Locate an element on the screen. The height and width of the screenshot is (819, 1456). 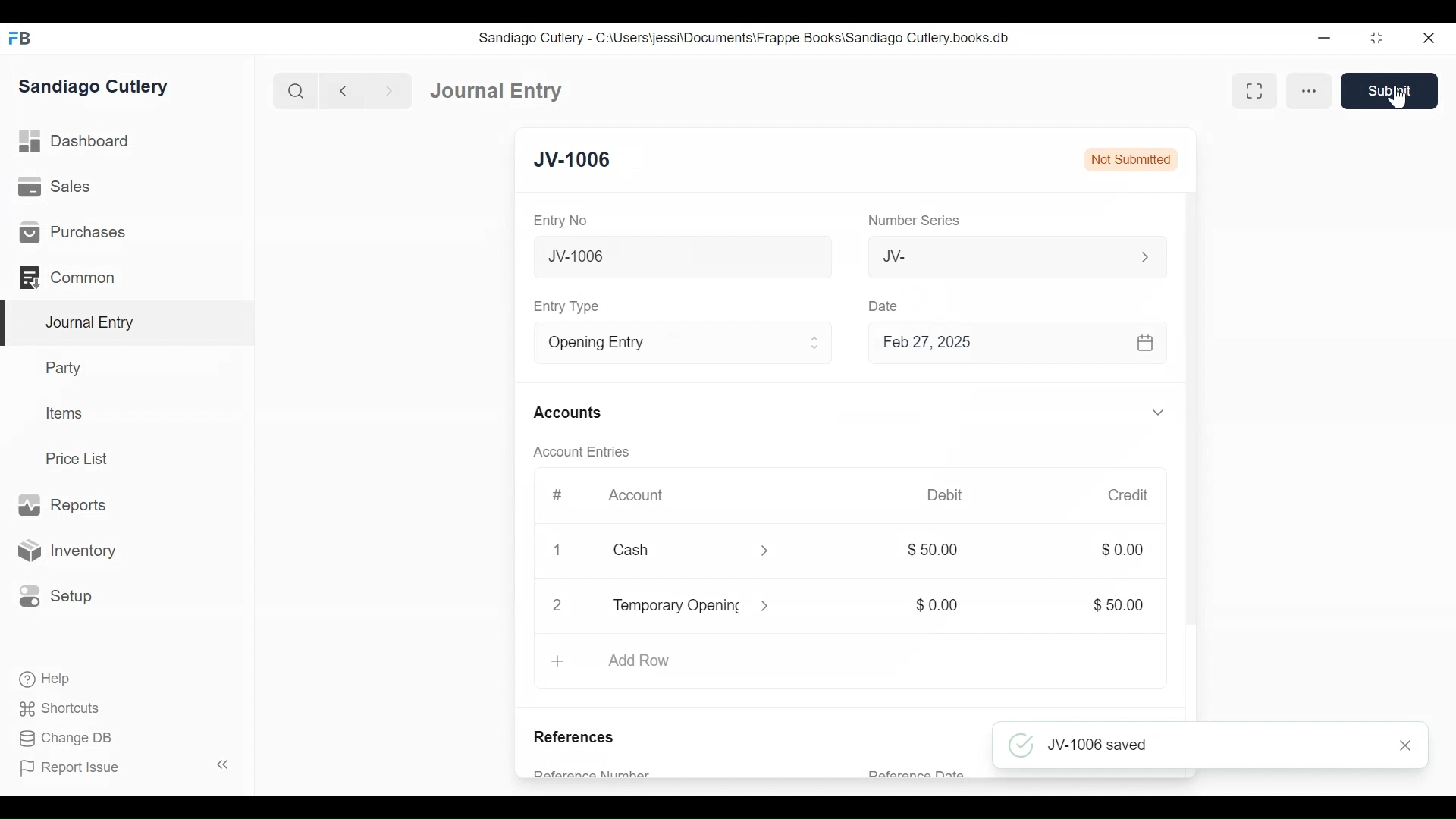
Report Issue is located at coordinates (71, 768).